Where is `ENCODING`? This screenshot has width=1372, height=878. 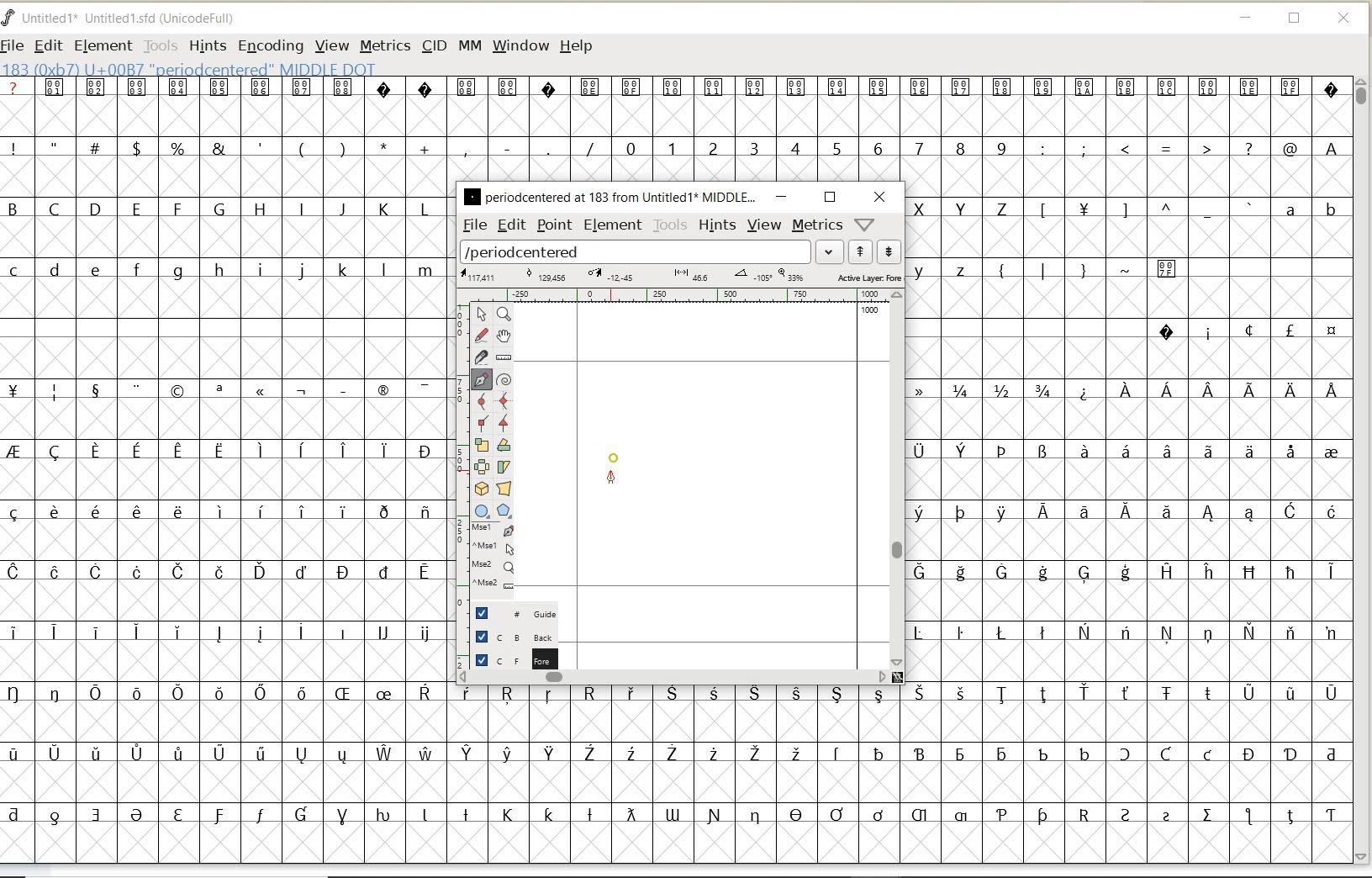
ENCODING is located at coordinates (271, 47).